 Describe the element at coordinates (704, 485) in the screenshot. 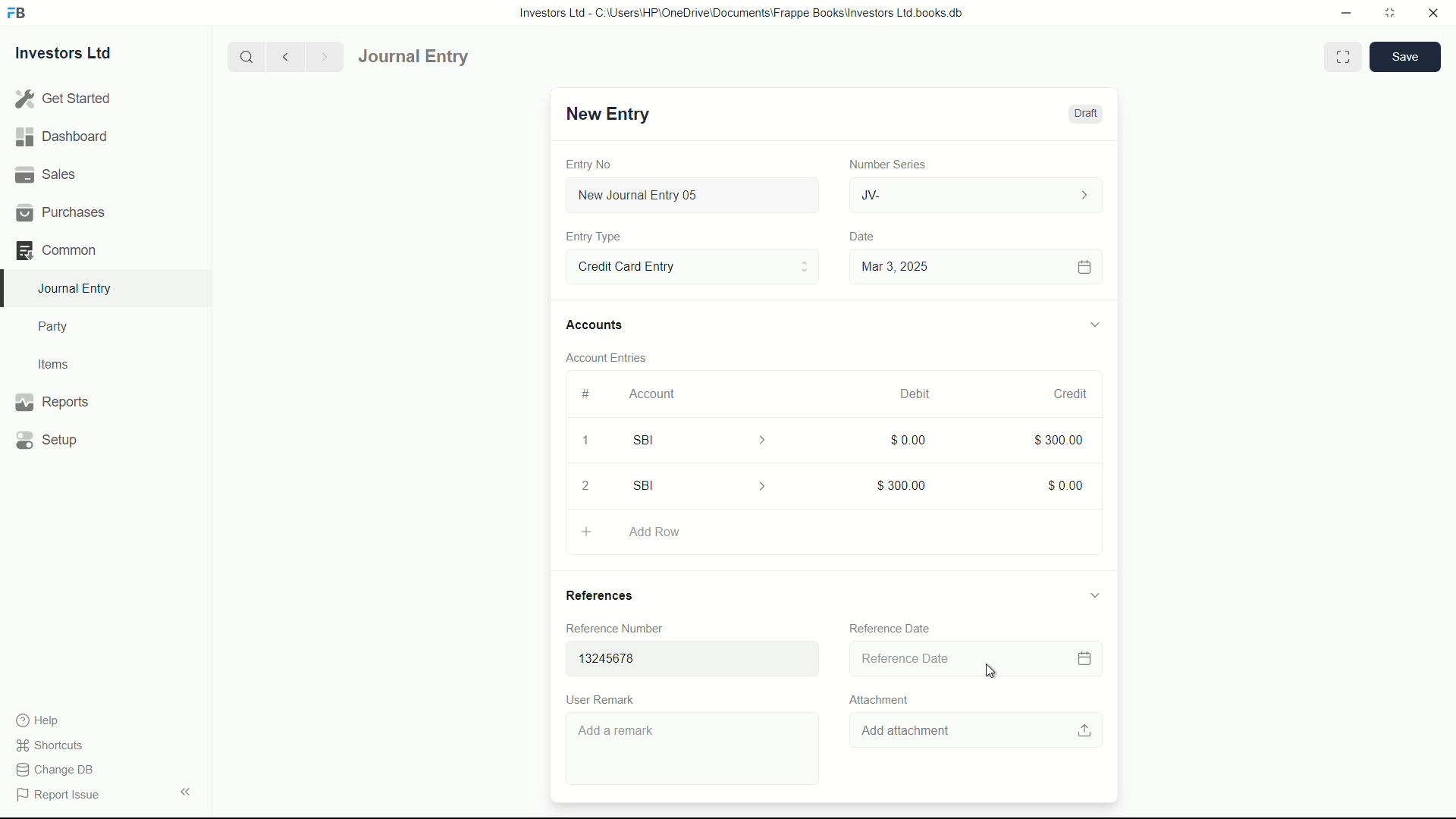

I see `SBI` at that location.